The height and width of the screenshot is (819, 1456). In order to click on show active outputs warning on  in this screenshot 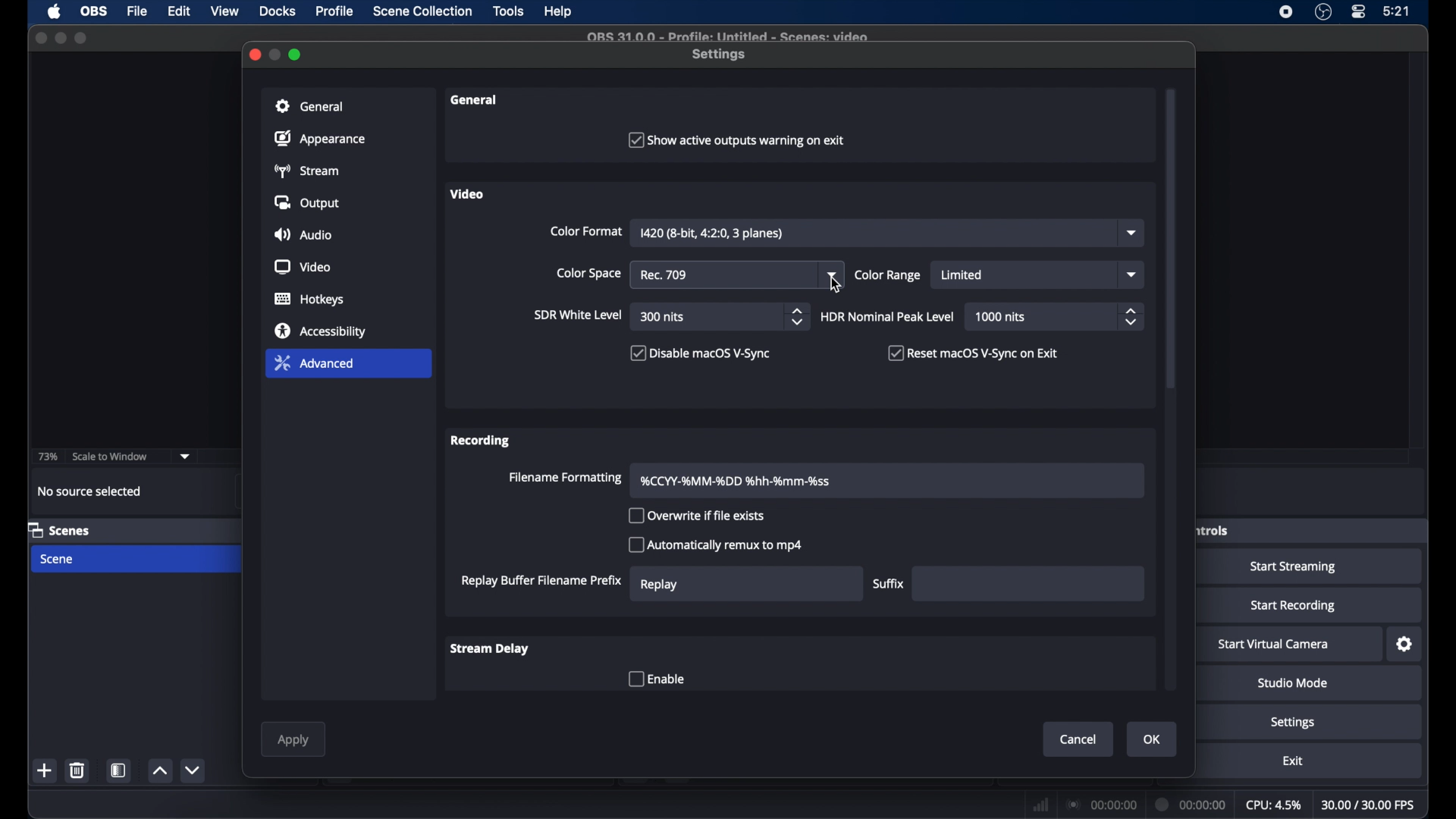, I will do `click(736, 140)`.